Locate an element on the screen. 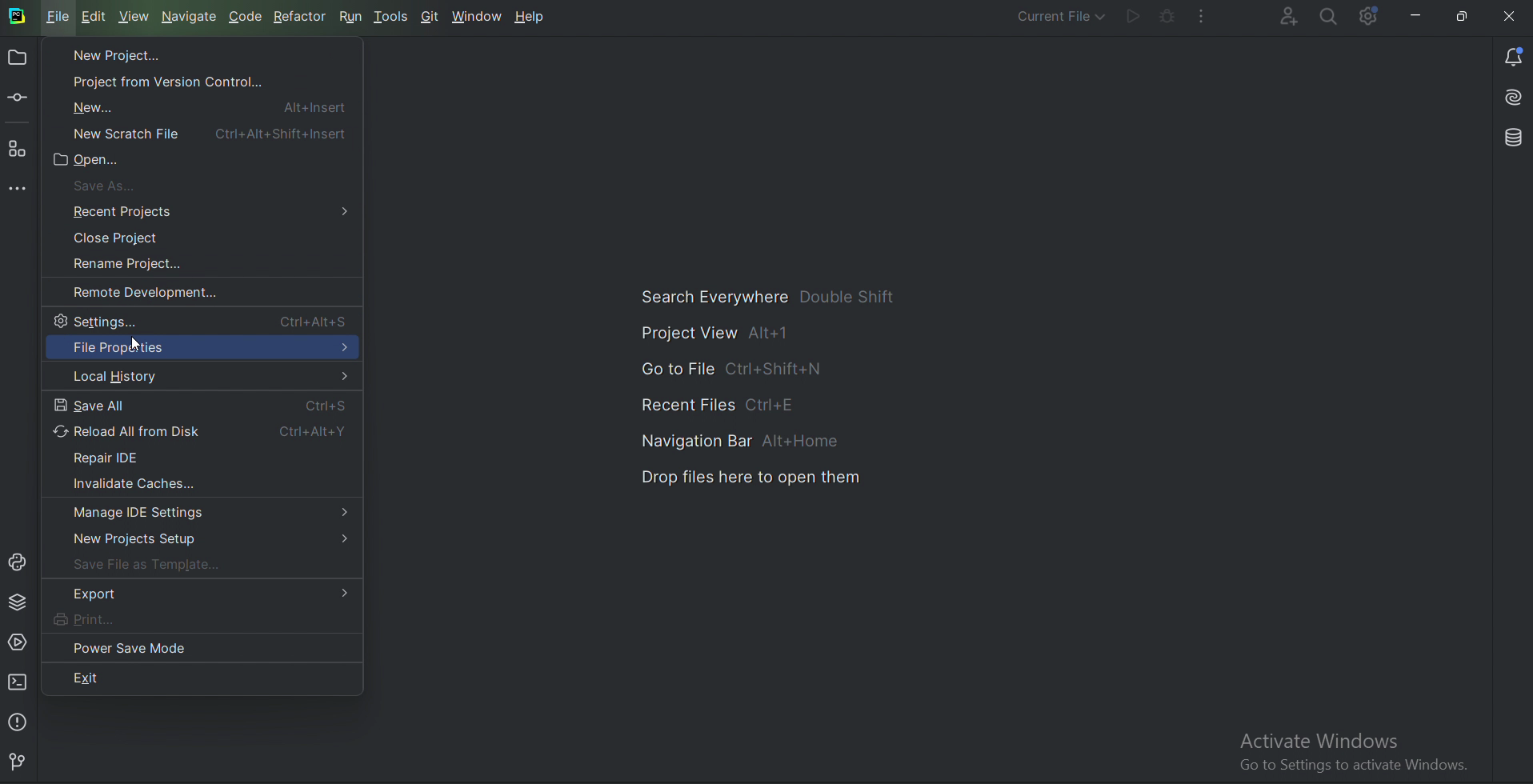 The height and width of the screenshot is (784, 1533). Manage IDE settings is located at coordinates (207, 512).